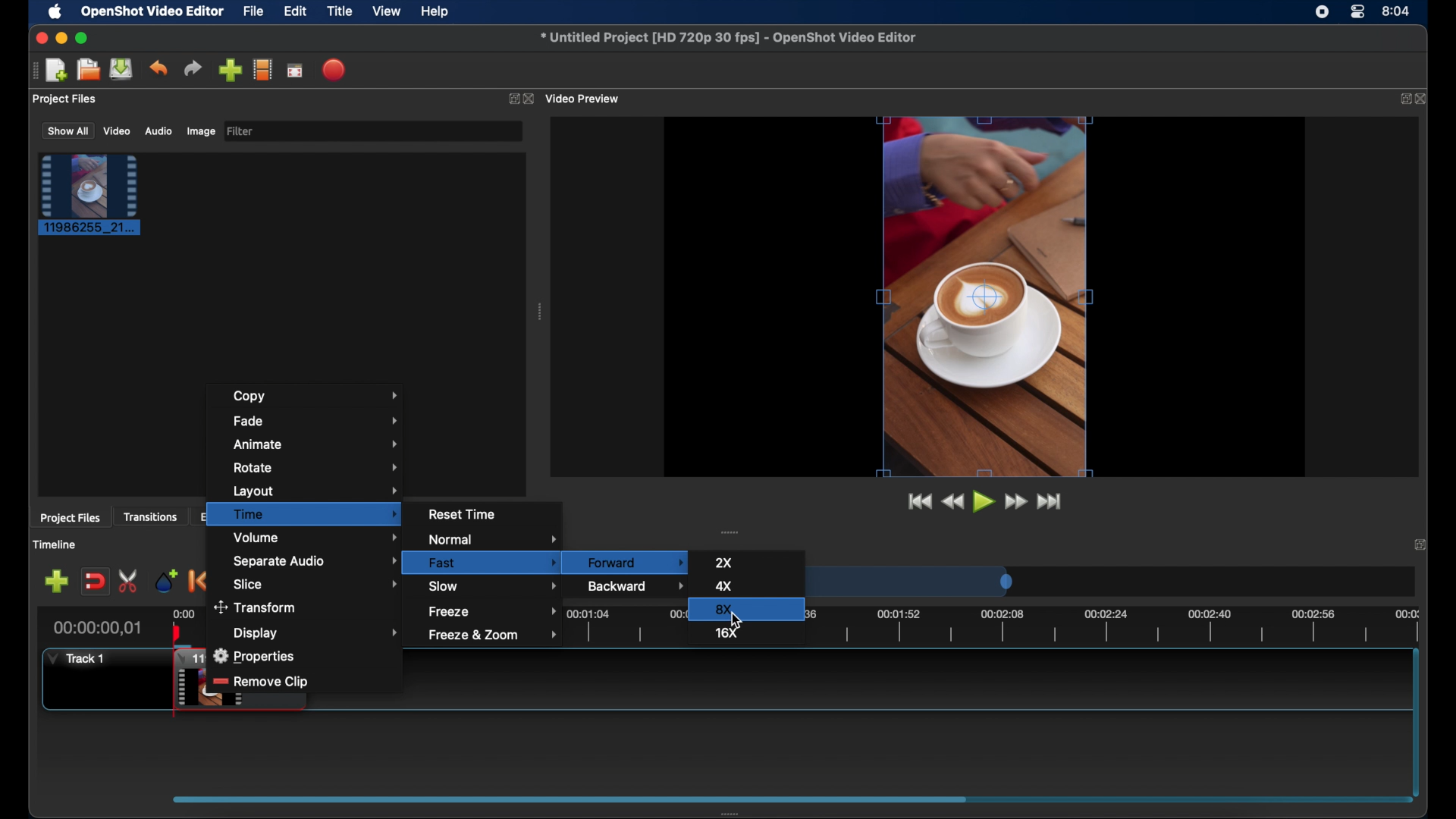 This screenshot has width=1456, height=819. I want to click on current time indicator, so click(98, 628).